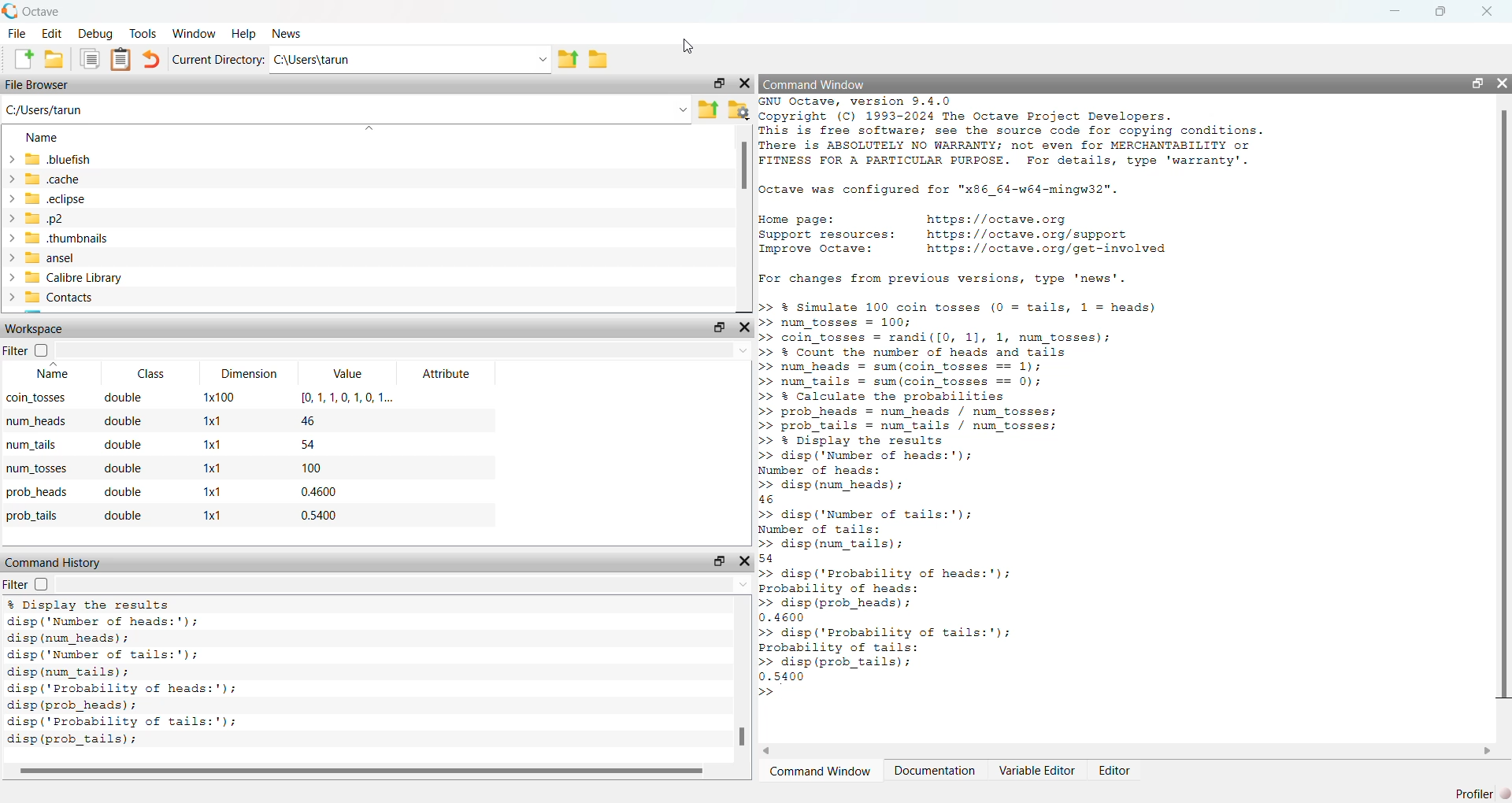  Describe the element at coordinates (346, 375) in the screenshot. I see `Value` at that location.